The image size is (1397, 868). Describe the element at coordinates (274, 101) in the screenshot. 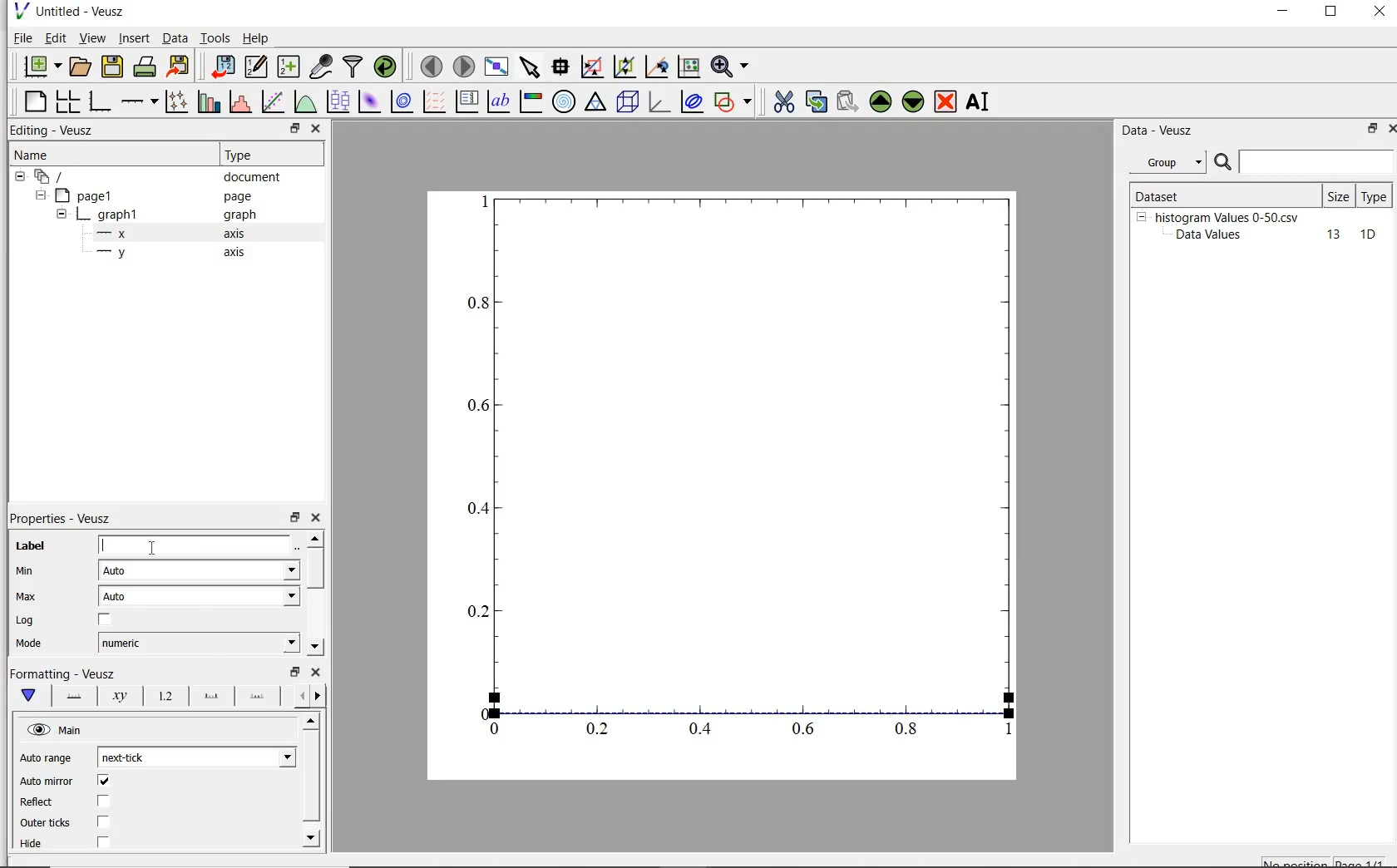

I see `fit a function to data` at that location.